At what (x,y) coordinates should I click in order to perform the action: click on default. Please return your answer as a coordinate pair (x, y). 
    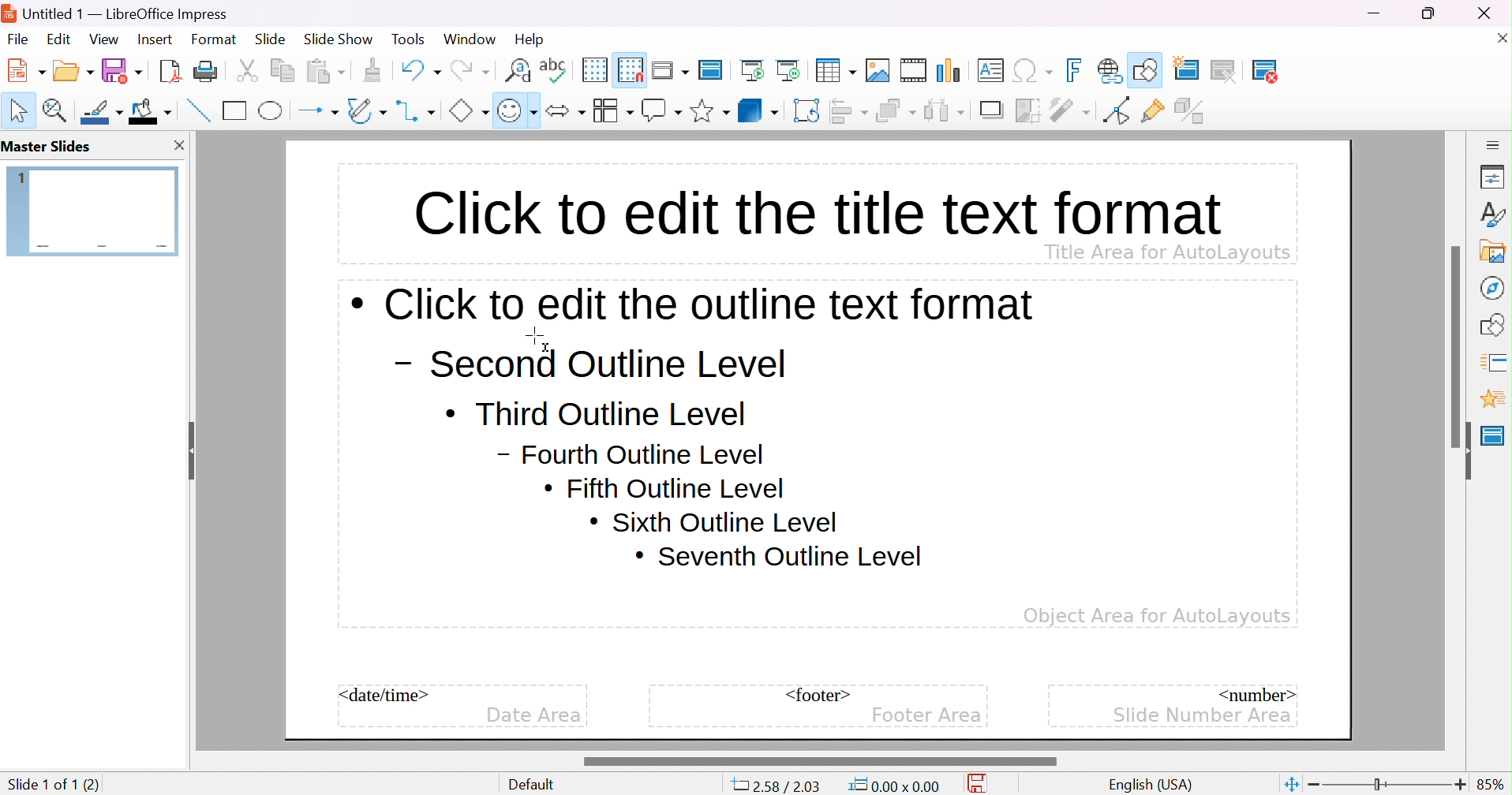
    Looking at the image, I should click on (536, 785).